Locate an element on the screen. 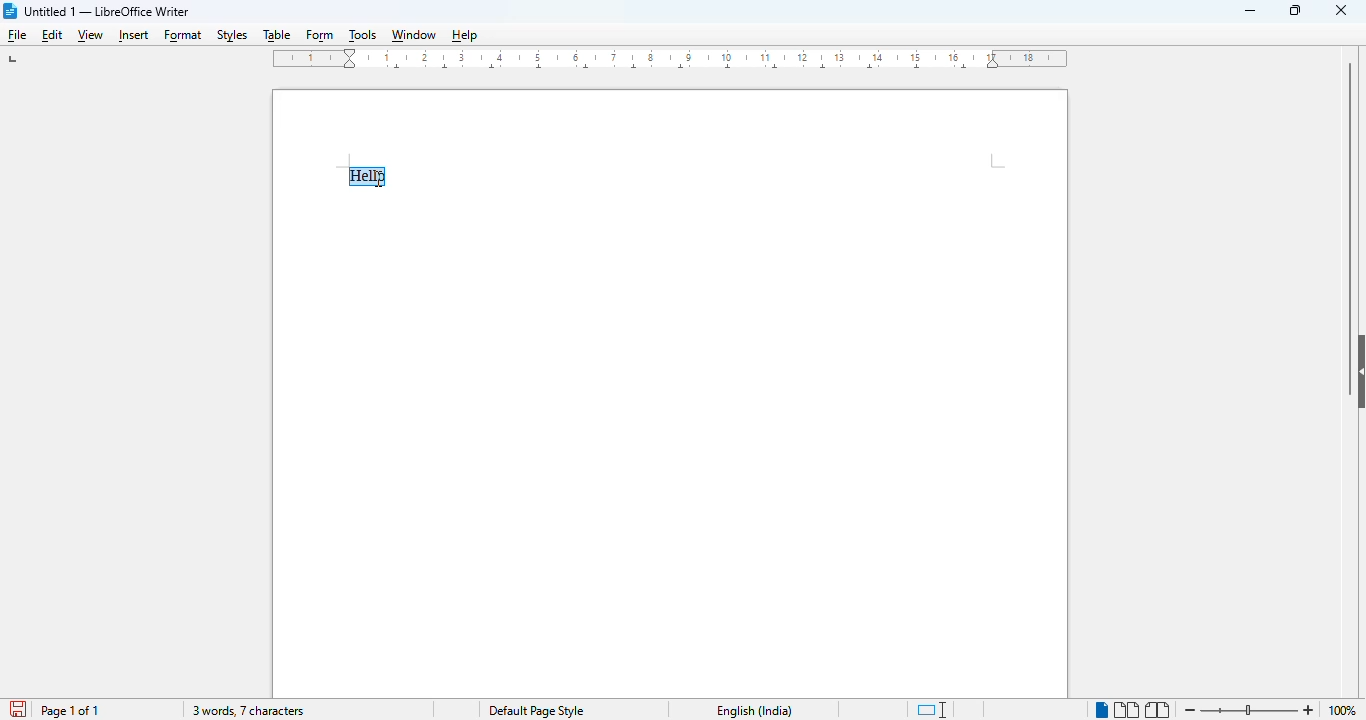 This screenshot has width=1366, height=720. maximize is located at coordinates (1295, 9).